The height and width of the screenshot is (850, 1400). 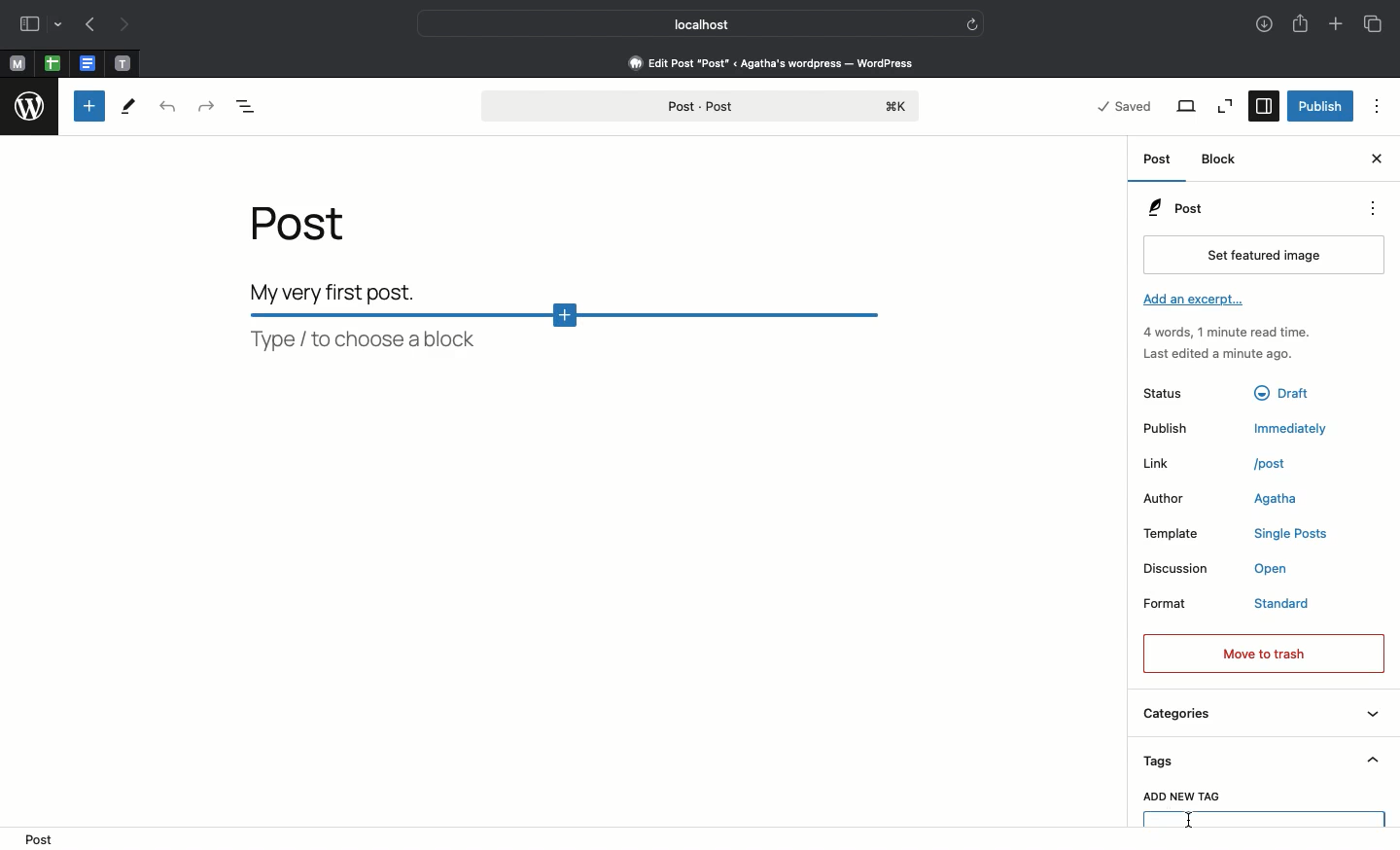 What do you see at coordinates (1176, 568) in the screenshot?
I see `Discussion` at bounding box center [1176, 568].